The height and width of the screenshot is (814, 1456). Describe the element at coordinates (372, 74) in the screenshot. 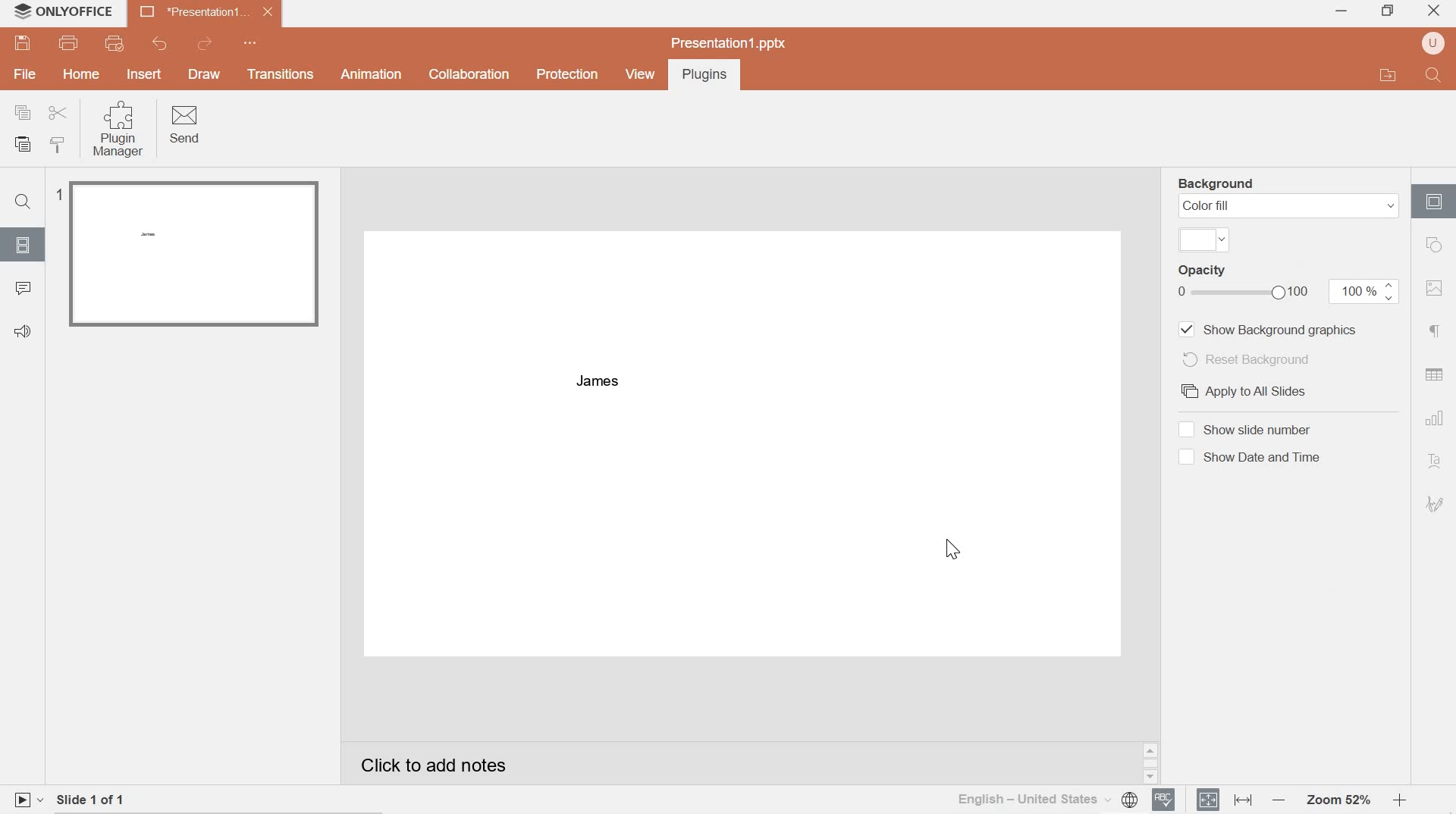

I see `Animation` at that location.